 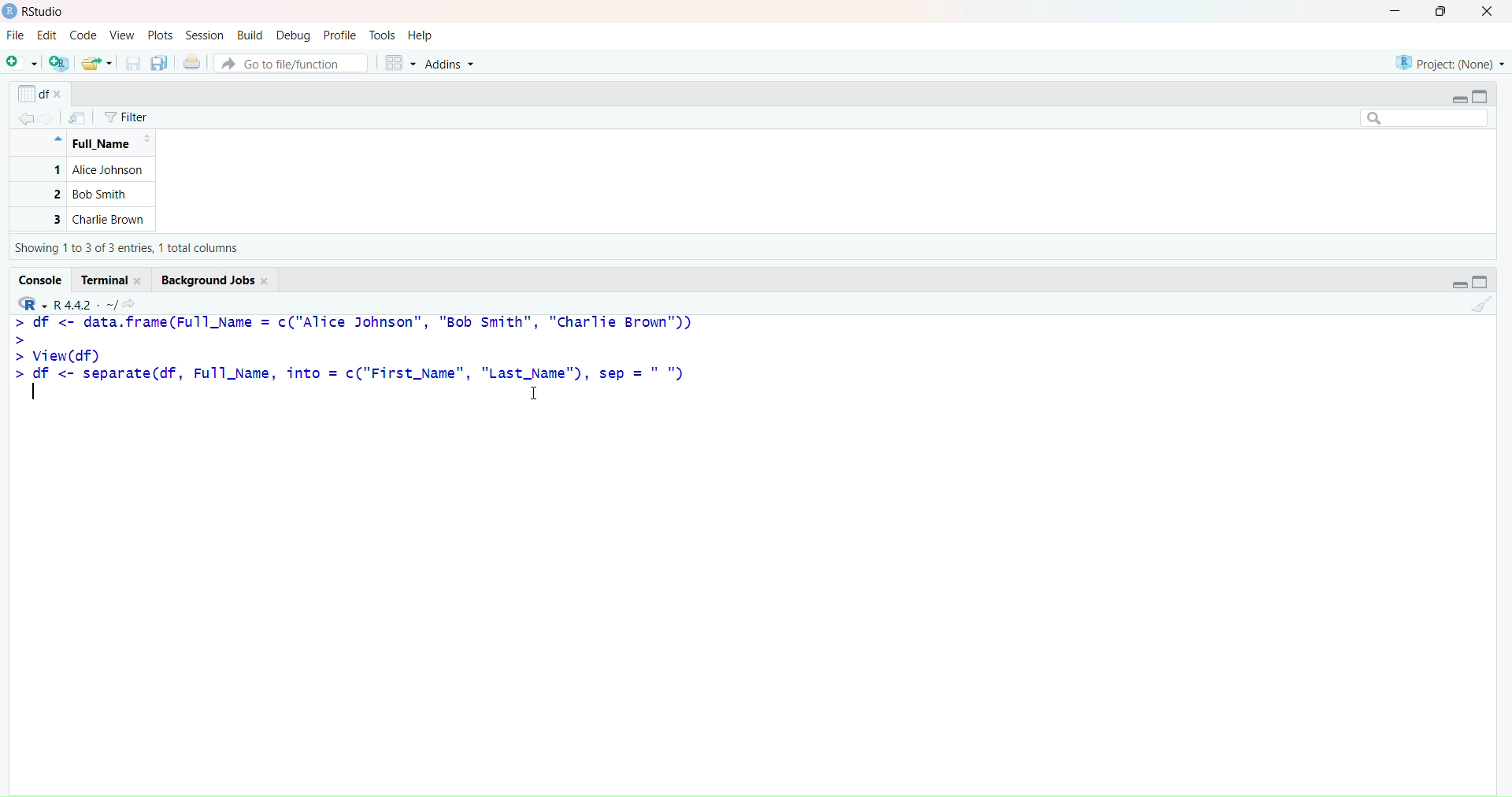 I want to click on Addins, so click(x=453, y=64).